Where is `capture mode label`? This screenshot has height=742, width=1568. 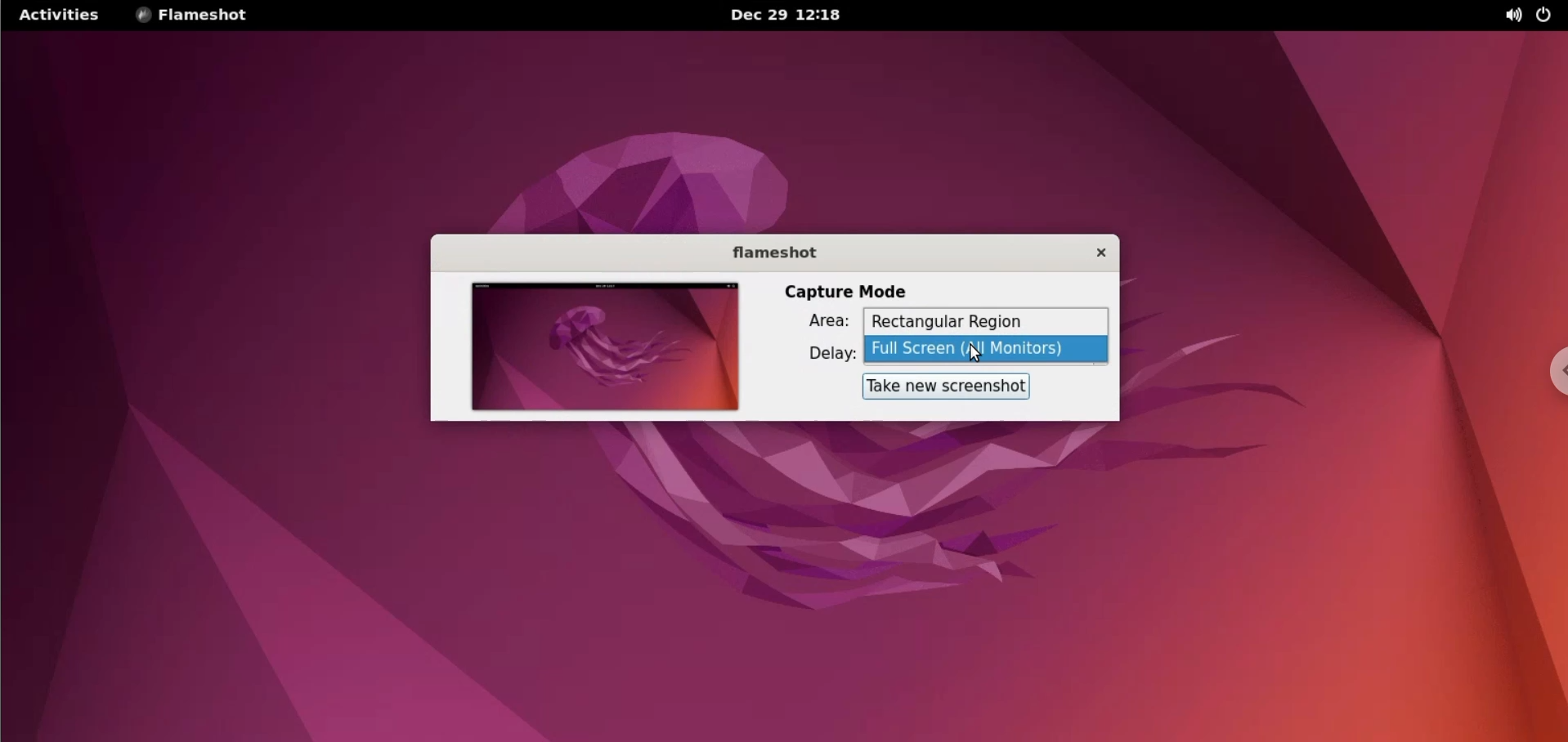 capture mode label is located at coordinates (847, 293).